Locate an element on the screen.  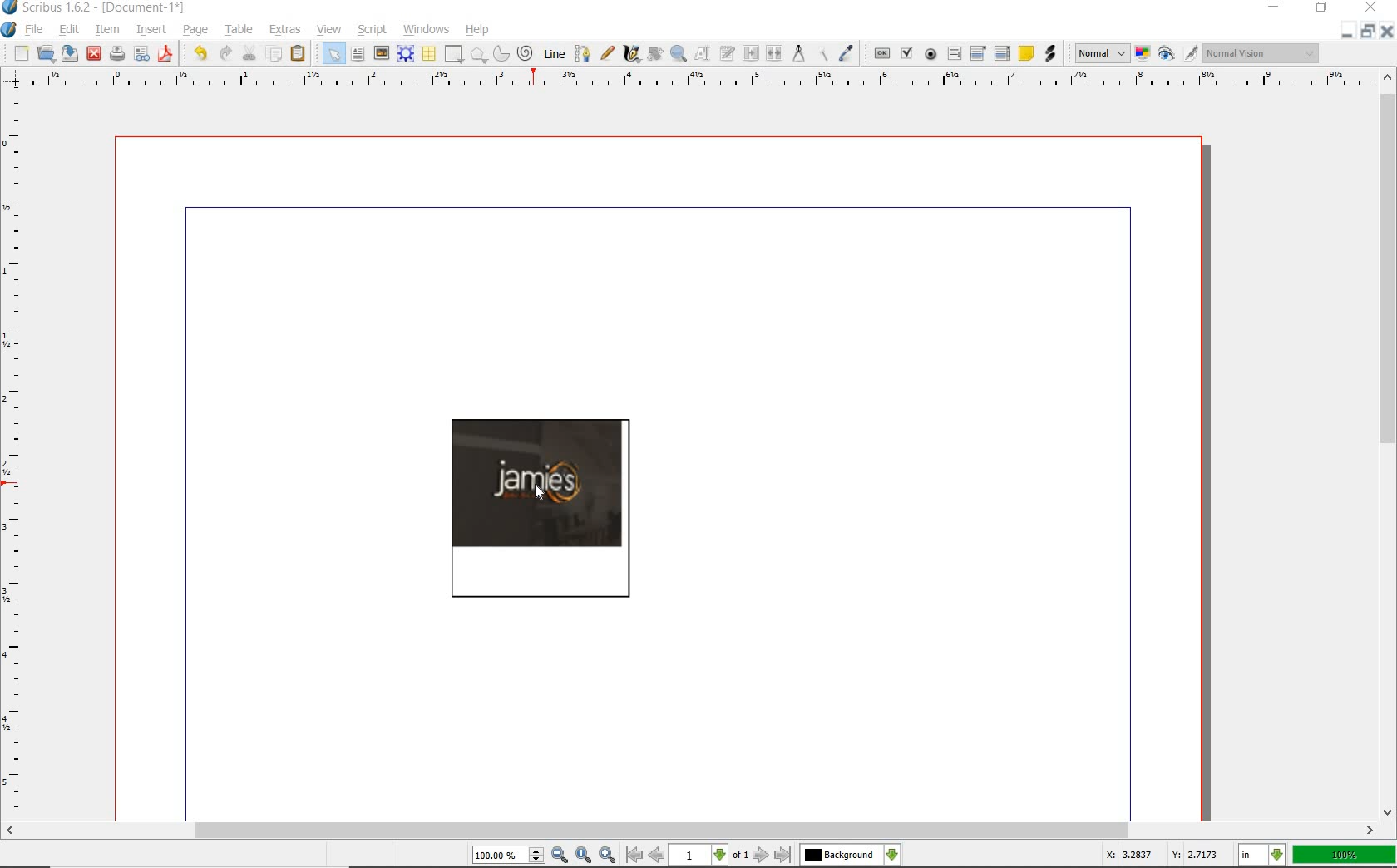
text frame is located at coordinates (358, 54).